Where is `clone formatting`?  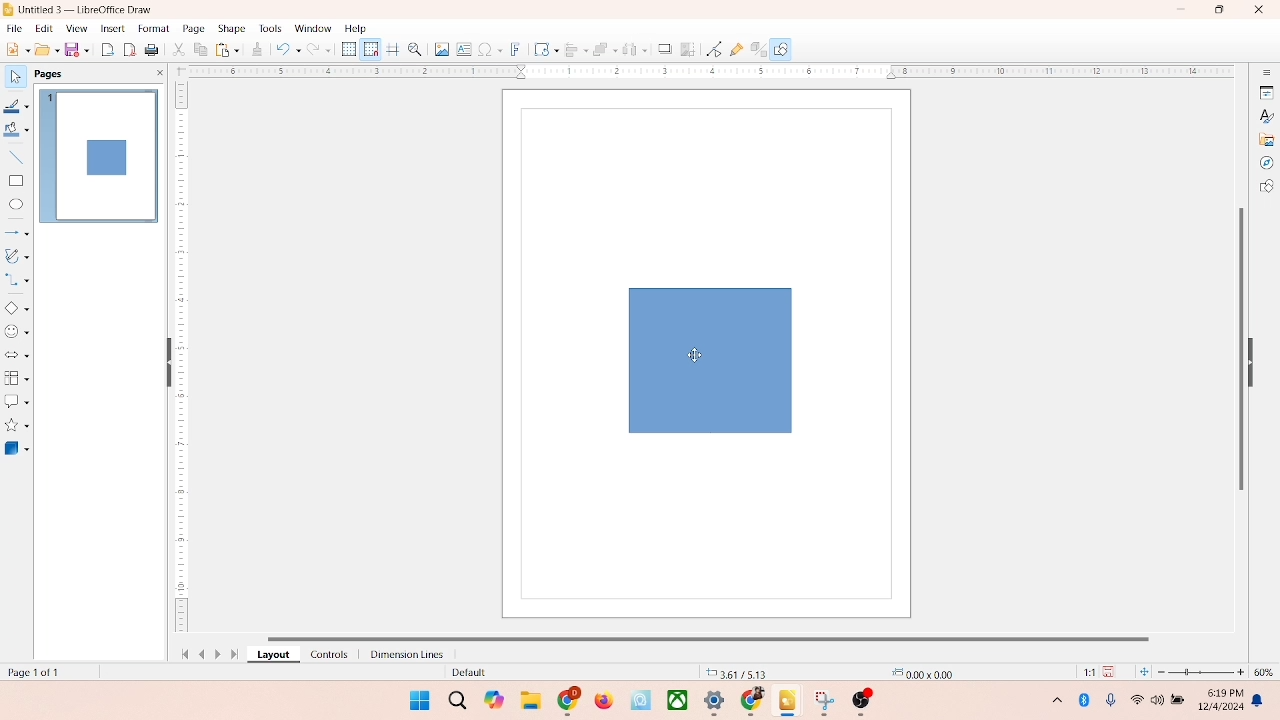 clone formatting is located at coordinates (256, 49).